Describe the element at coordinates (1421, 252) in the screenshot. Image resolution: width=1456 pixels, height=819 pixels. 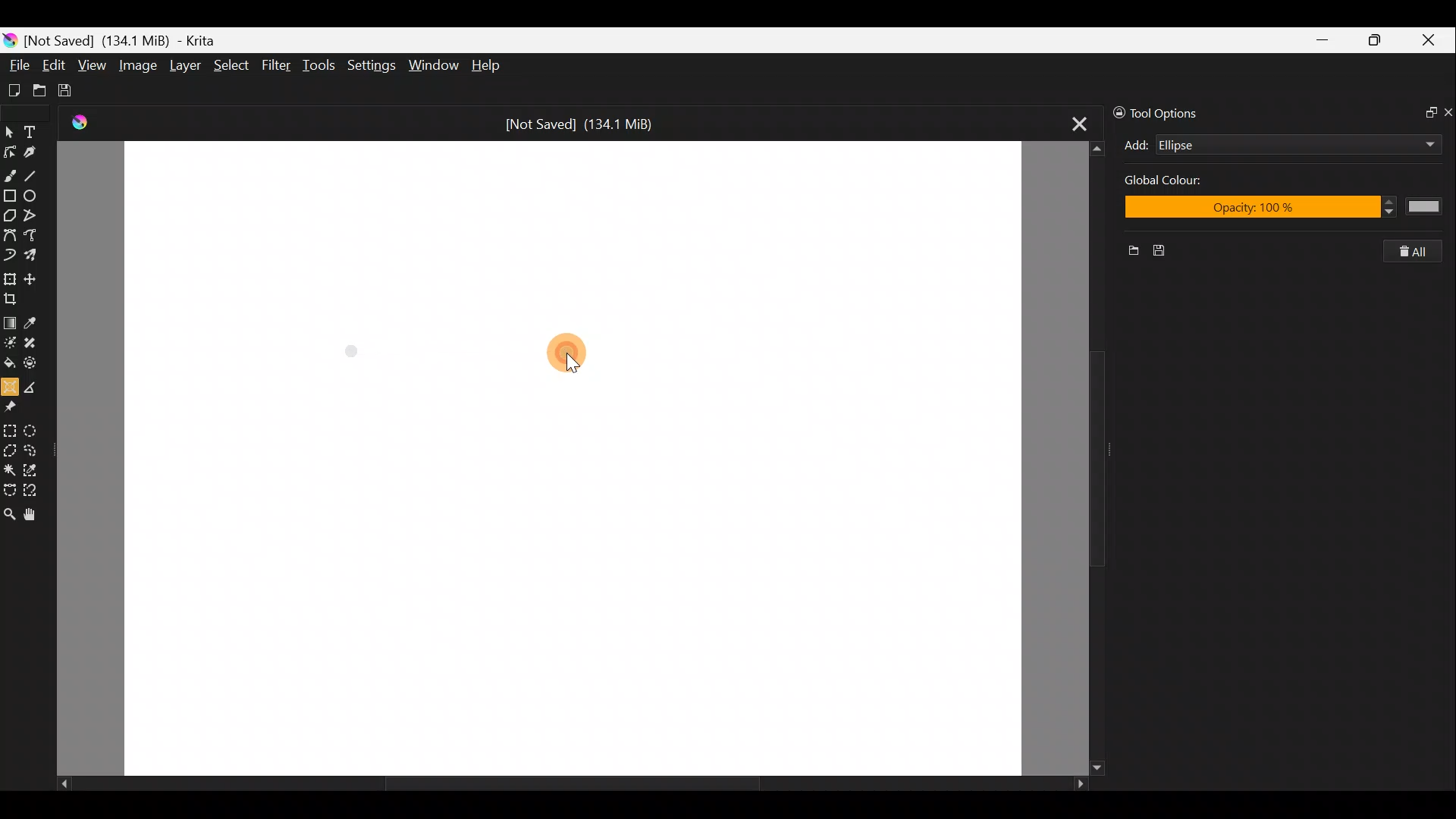
I see `Delete all` at that location.